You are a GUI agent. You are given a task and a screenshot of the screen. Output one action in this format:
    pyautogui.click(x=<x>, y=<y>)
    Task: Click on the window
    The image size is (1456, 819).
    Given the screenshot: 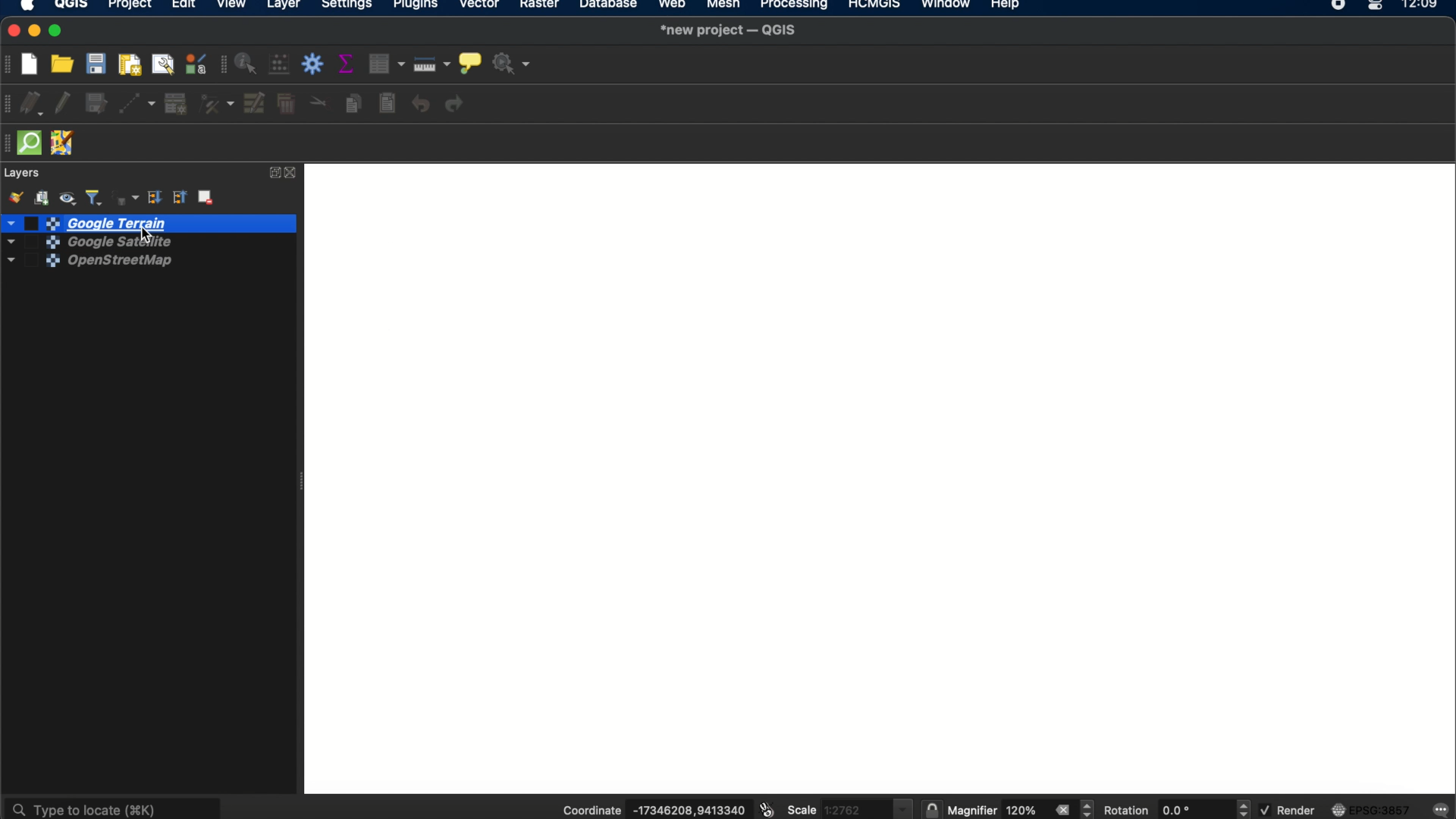 What is the action you would take?
    pyautogui.click(x=945, y=6)
    